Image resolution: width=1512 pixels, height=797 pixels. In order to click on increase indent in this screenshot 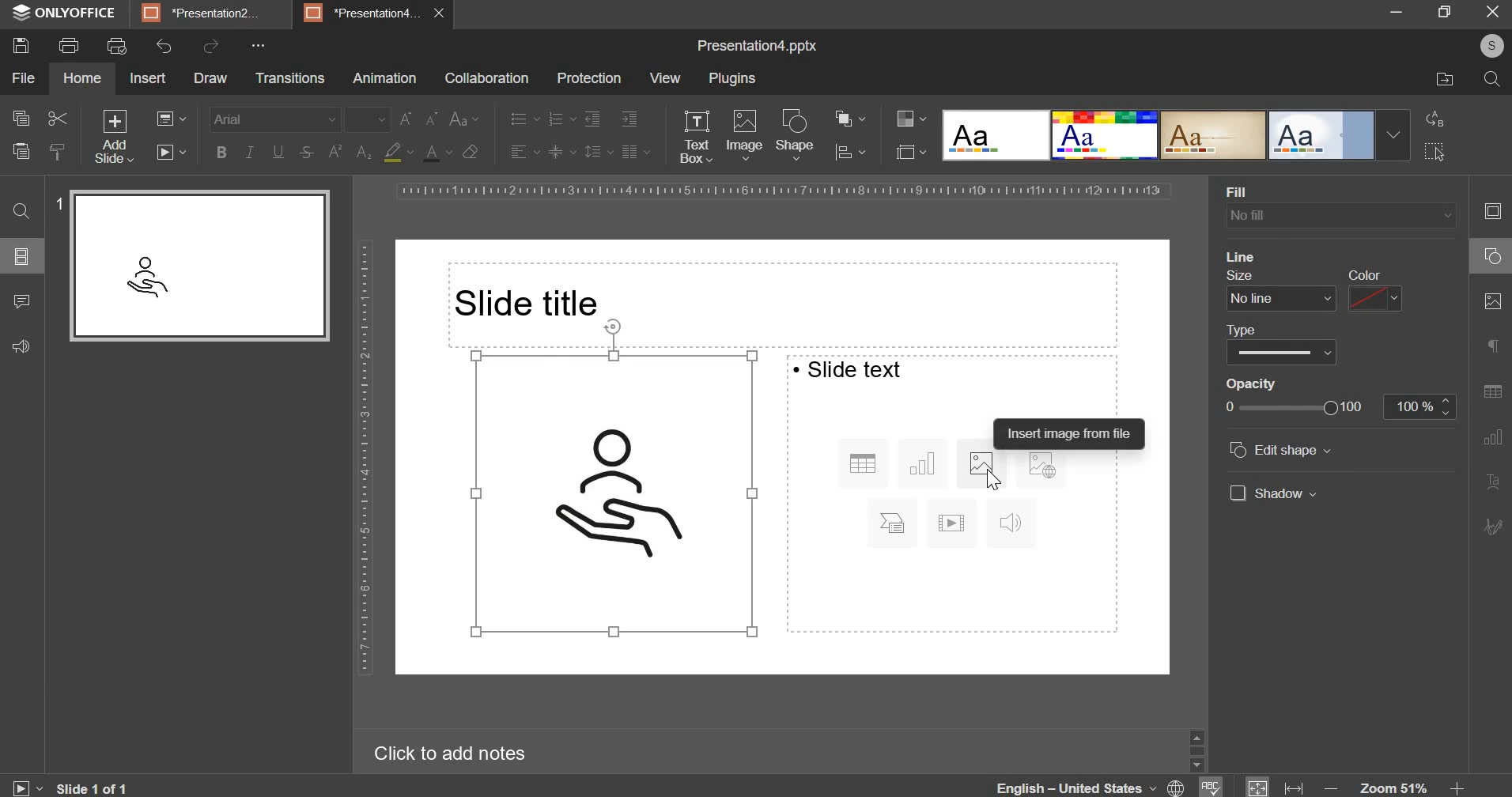, I will do `click(629, 119)`.